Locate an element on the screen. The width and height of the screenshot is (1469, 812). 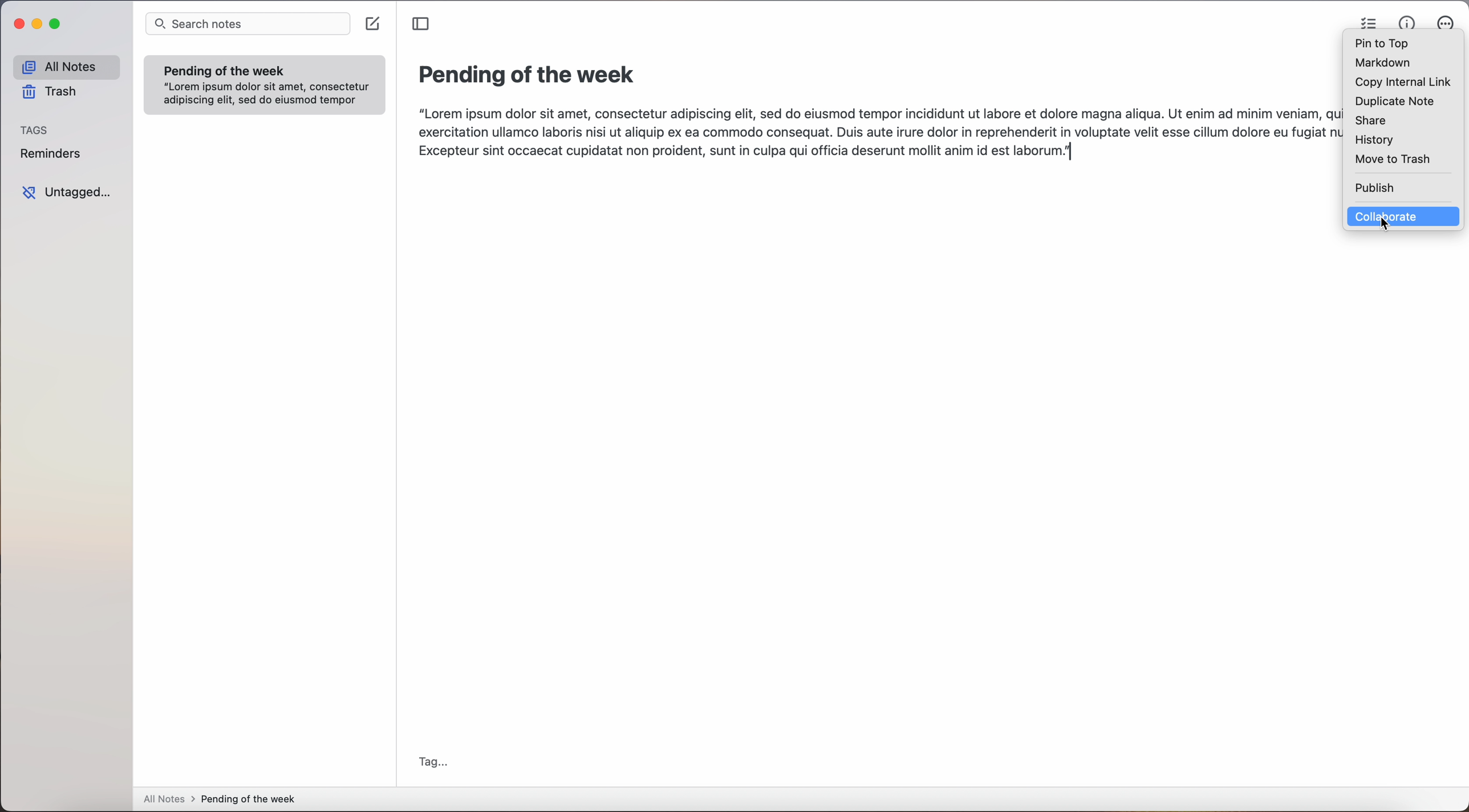
tags is located at coordinates (34, 129).